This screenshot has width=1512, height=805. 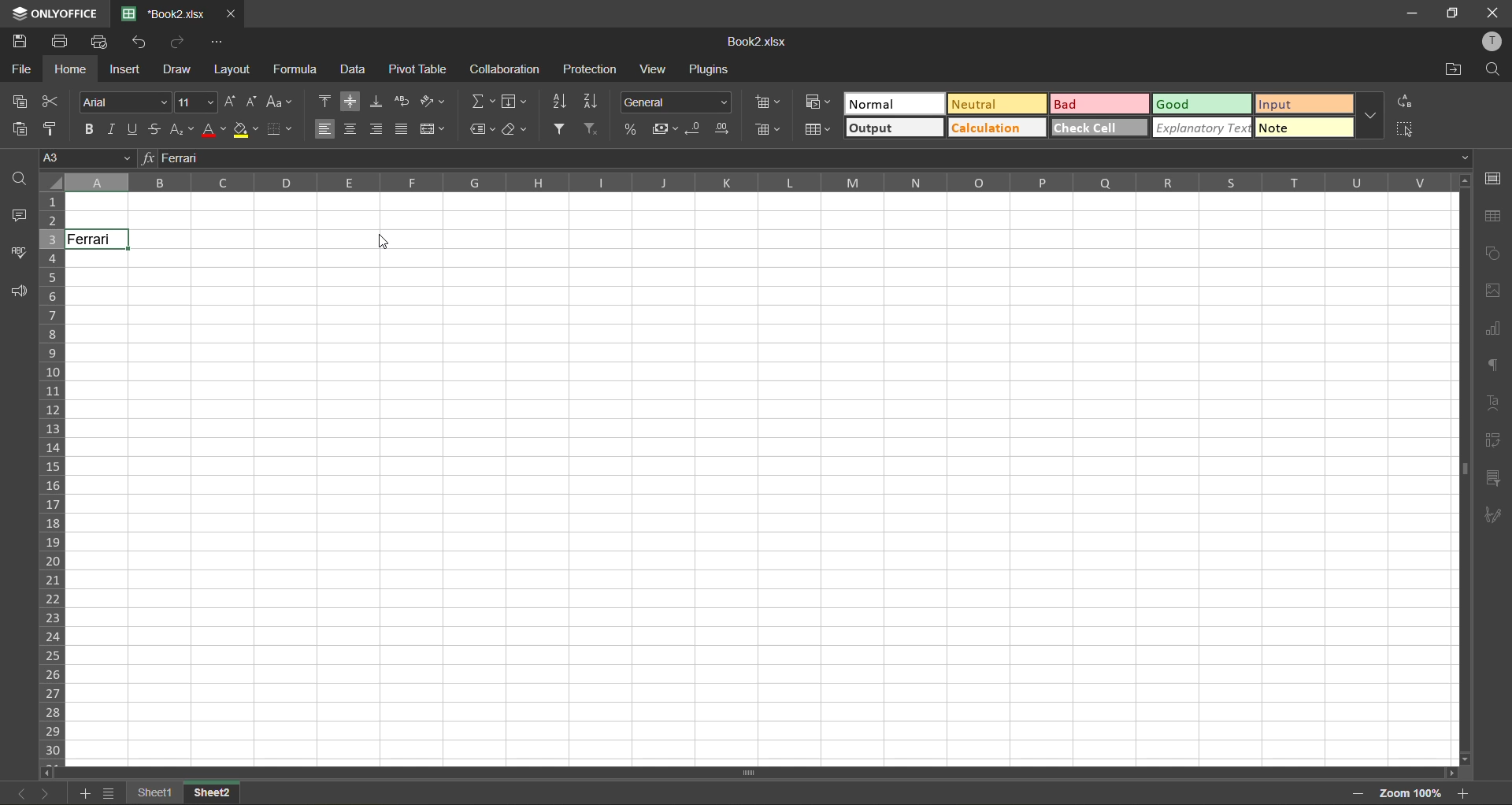 What do you see at coordinates (664, 131) in the screenshot?
I see `accounting` at bounding box center [664, 131].